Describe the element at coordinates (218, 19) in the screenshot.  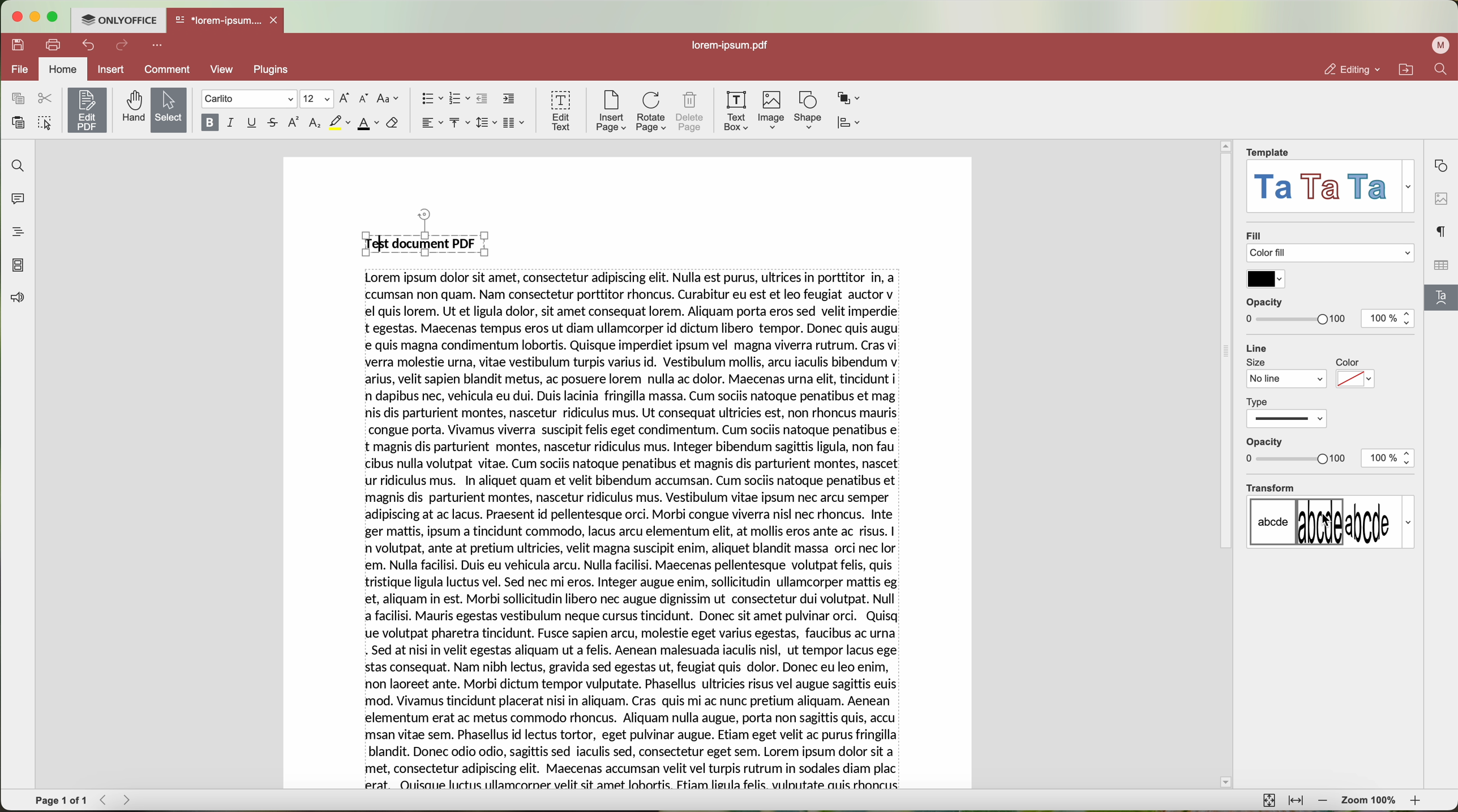
I see `*lorem-ipsum....` at that location.